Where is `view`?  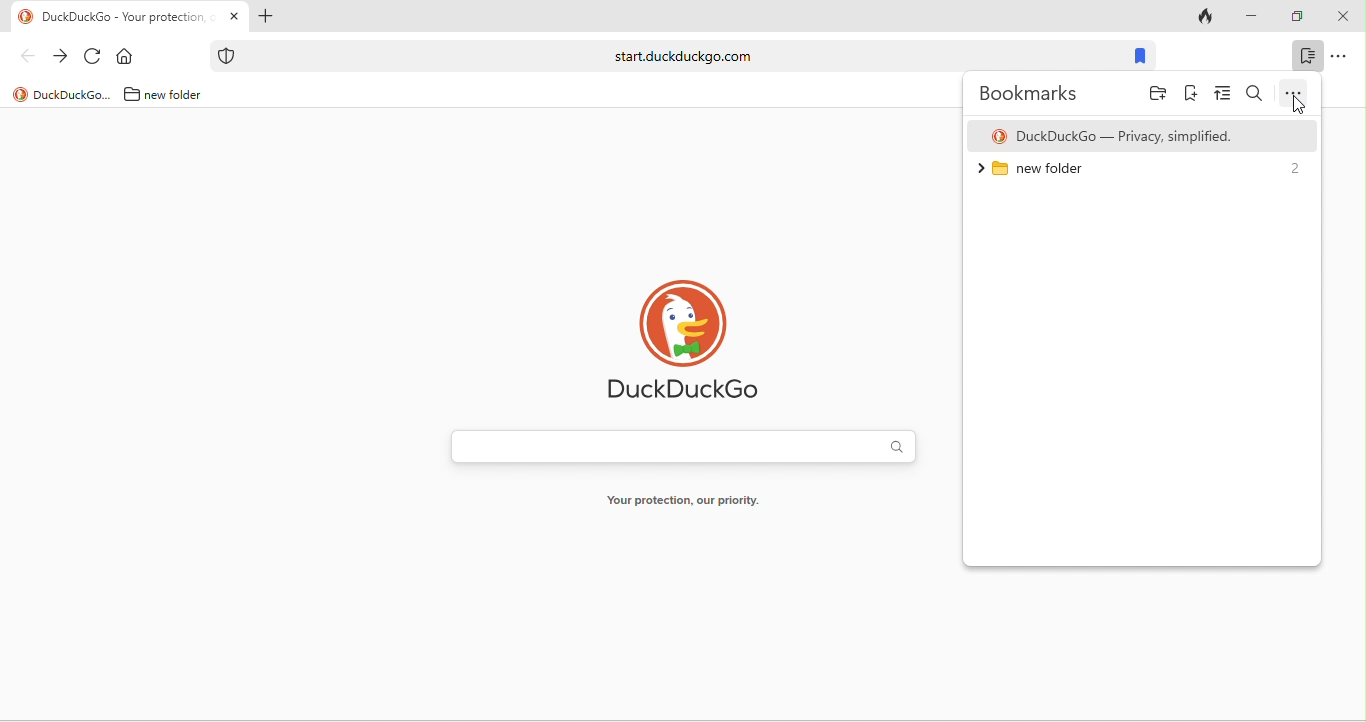
view is located at coordinates (1223, 95).